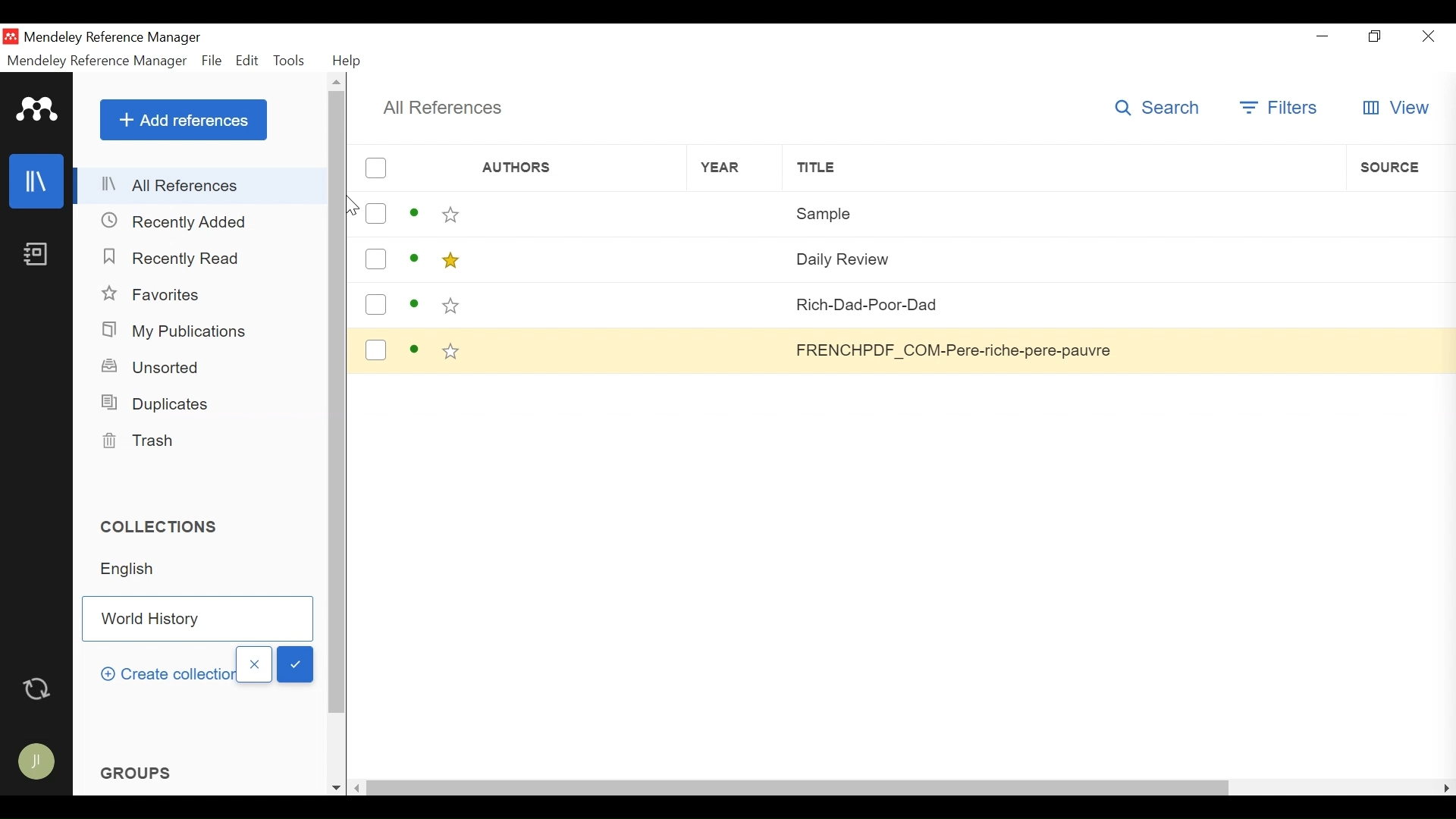  Describe the element at coordinates (735, 168) in the screenshot. I see `Year` at that location.